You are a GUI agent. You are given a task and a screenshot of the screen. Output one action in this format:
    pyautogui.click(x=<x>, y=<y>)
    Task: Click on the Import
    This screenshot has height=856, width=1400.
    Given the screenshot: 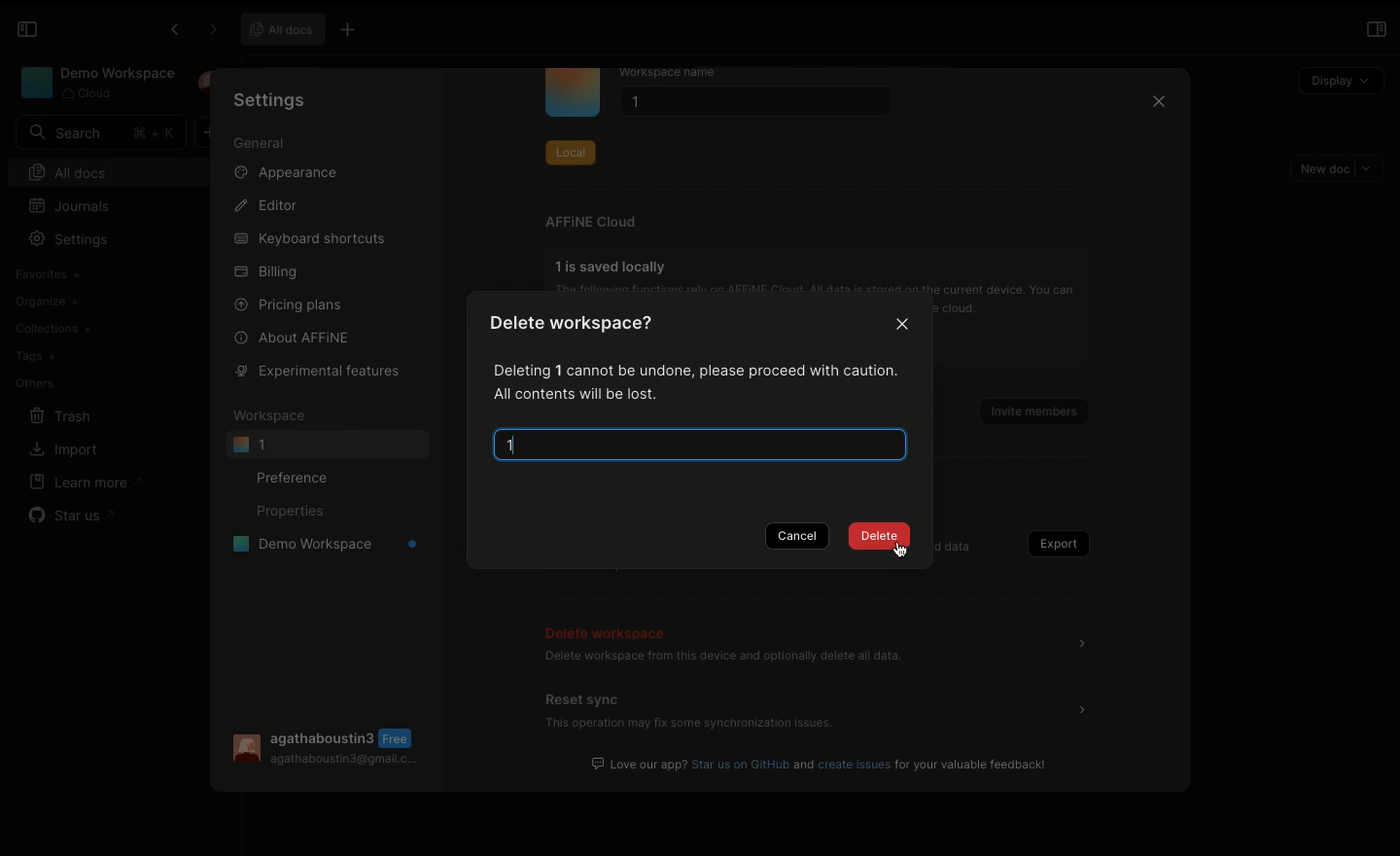 What is the action you would take?
    pyautogui.click(x=63, y=450)
    